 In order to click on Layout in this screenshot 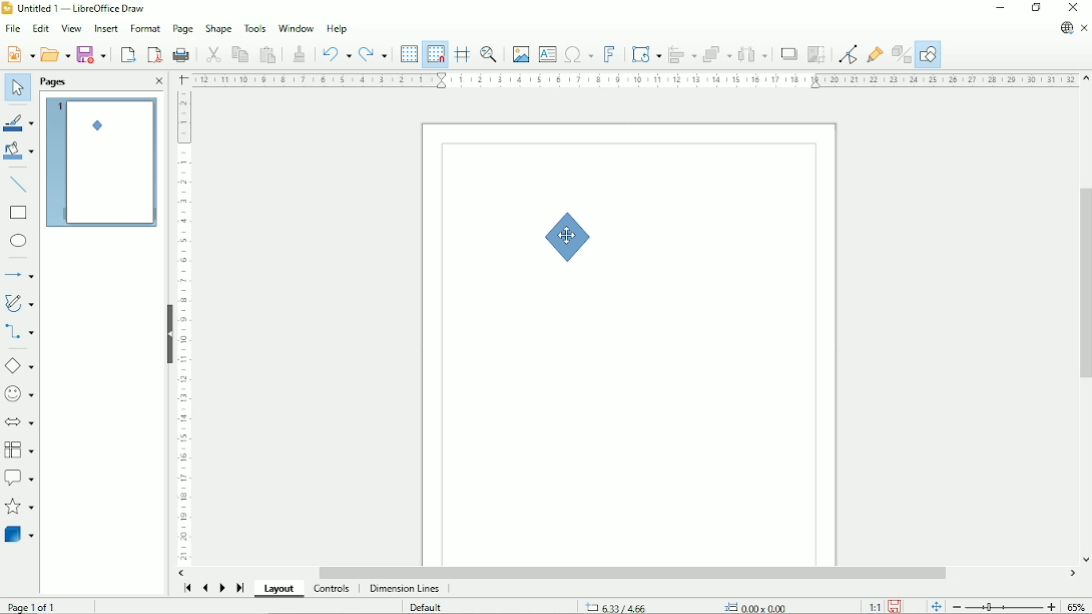, I will do `click(279, 590)`.